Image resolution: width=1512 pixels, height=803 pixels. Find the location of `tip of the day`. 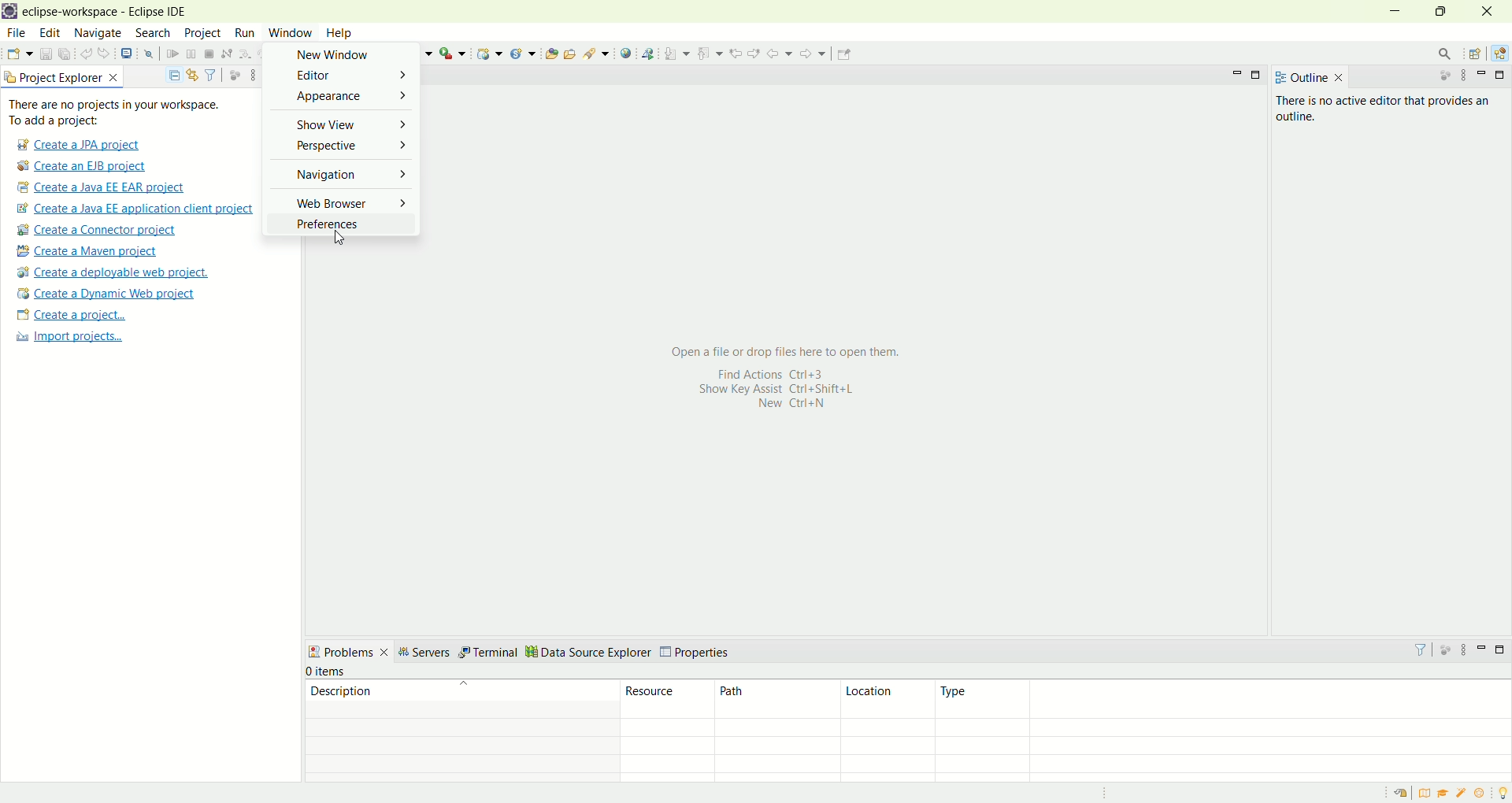

tip of the day is located at coordinates (1503, 791).